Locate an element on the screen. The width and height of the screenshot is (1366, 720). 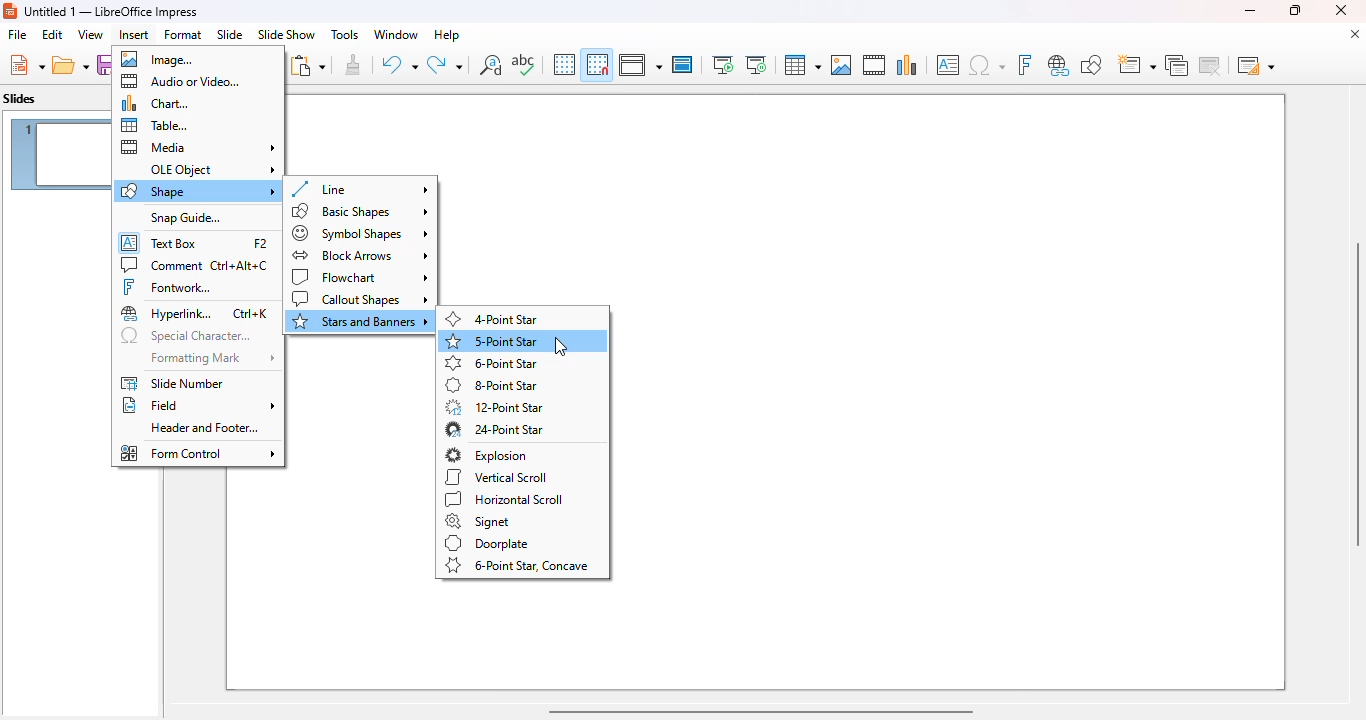
undo is located at coordinates (399, 65).